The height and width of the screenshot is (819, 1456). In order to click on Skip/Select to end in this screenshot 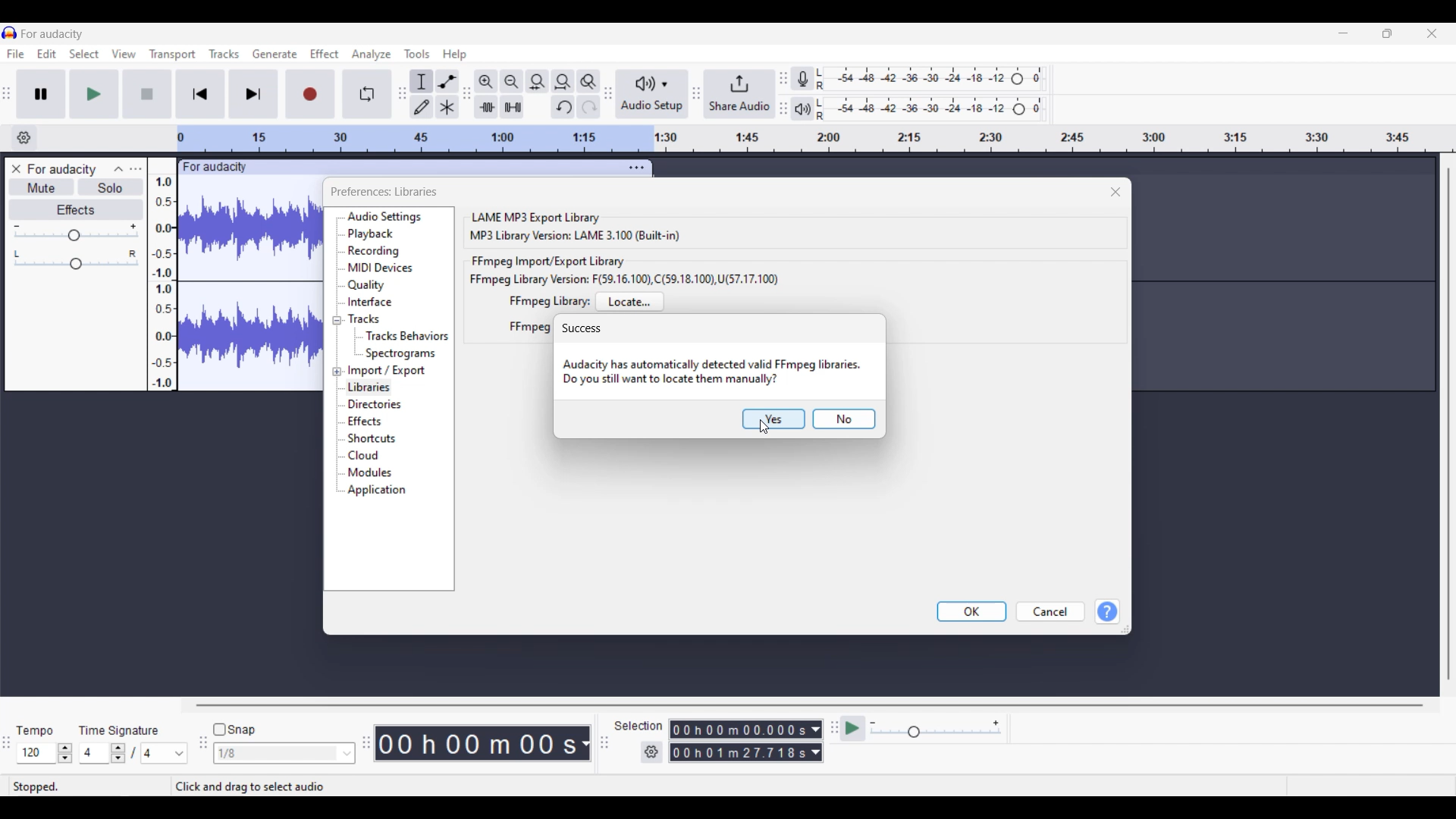, I will do `click(253, 94)`.